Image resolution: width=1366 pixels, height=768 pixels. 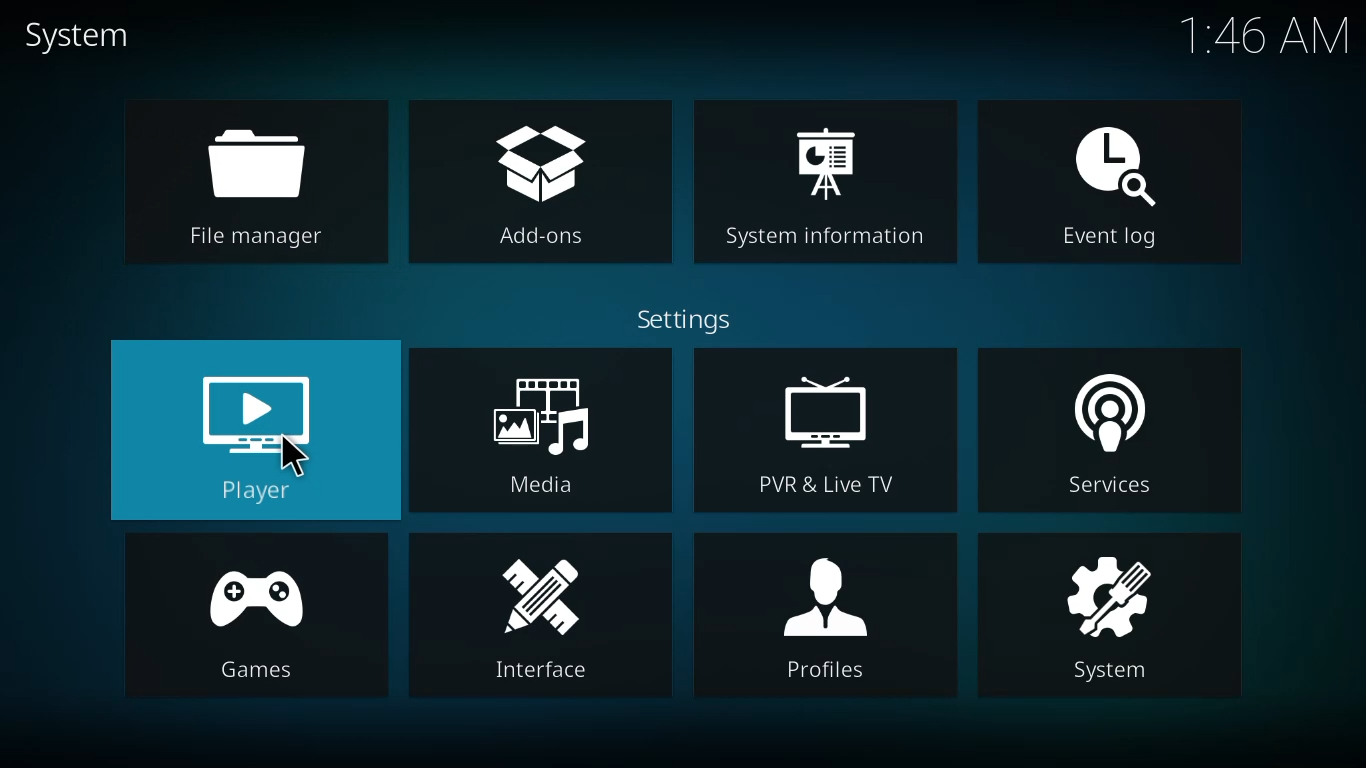 What do you see at coordinates (298, 459) in the screenshot?
I see `cursor` at bounding box center [298, 459].